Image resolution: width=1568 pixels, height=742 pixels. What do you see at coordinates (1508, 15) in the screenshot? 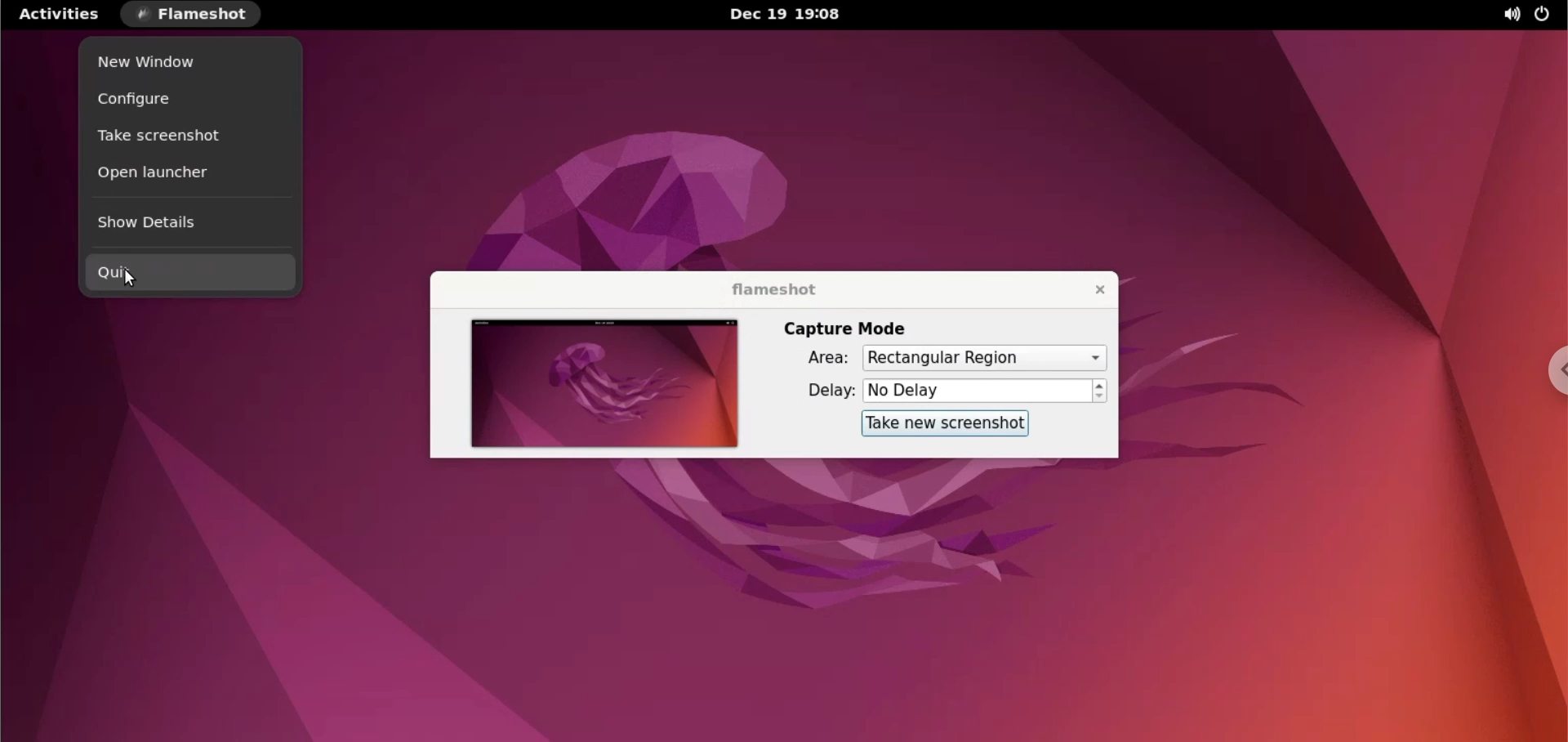
I see `sound options` at bounding box center [1508, 15].